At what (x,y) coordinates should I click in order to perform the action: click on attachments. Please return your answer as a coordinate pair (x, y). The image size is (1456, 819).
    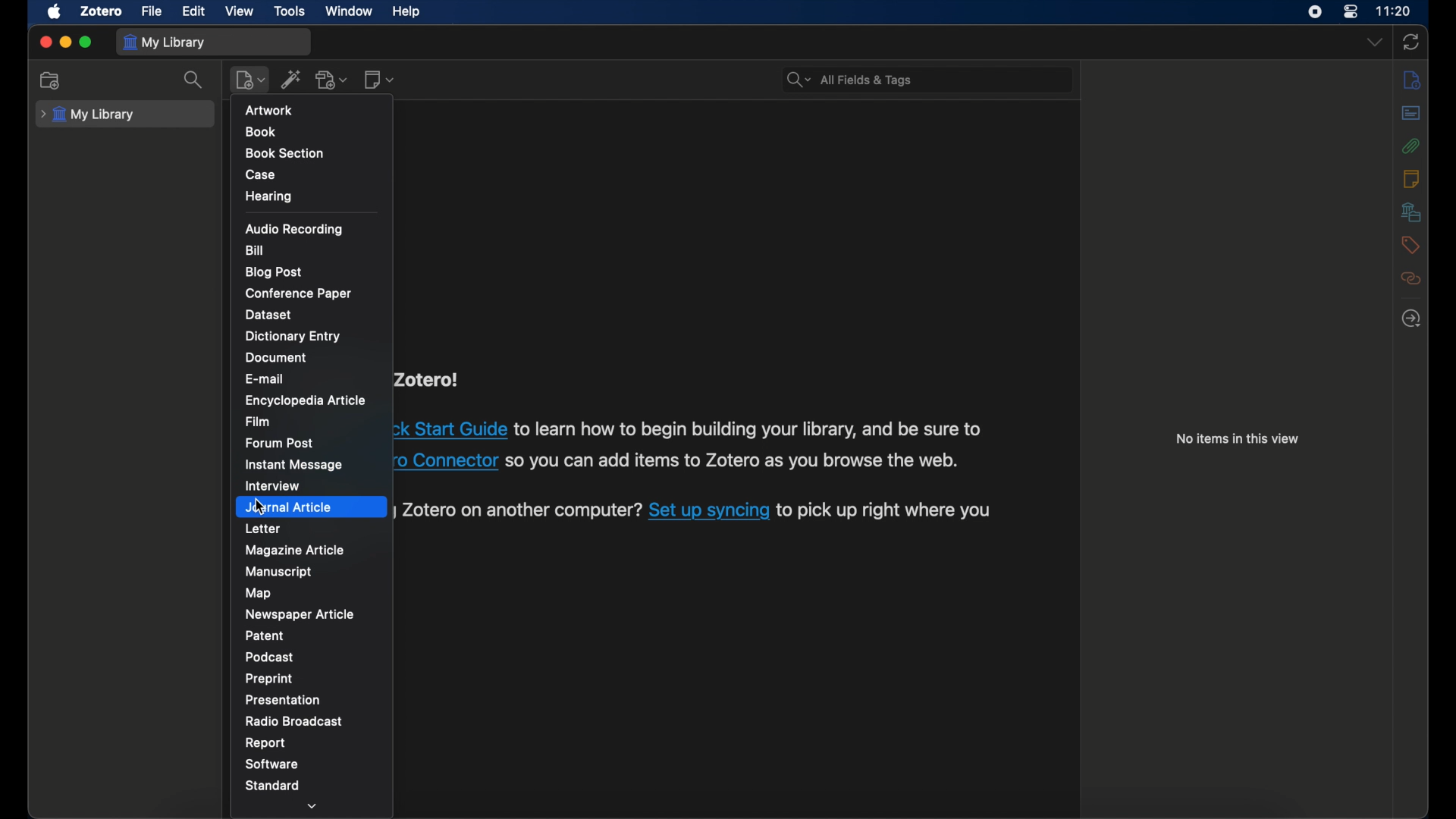
    Looking at the image, I should click on (1410, 146).